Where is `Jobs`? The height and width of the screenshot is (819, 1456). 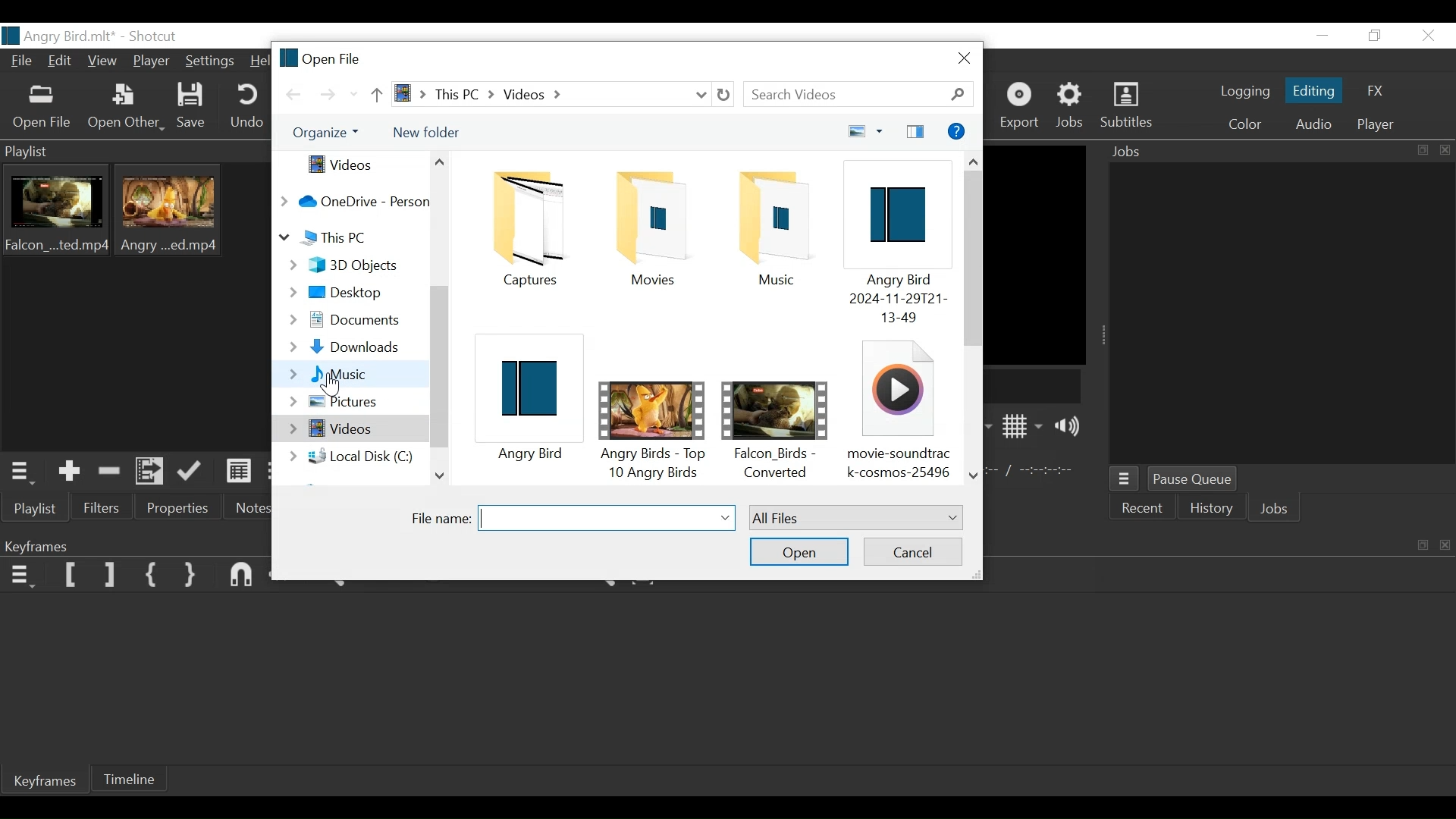 Jobs is located at coordinates (1277, 509).